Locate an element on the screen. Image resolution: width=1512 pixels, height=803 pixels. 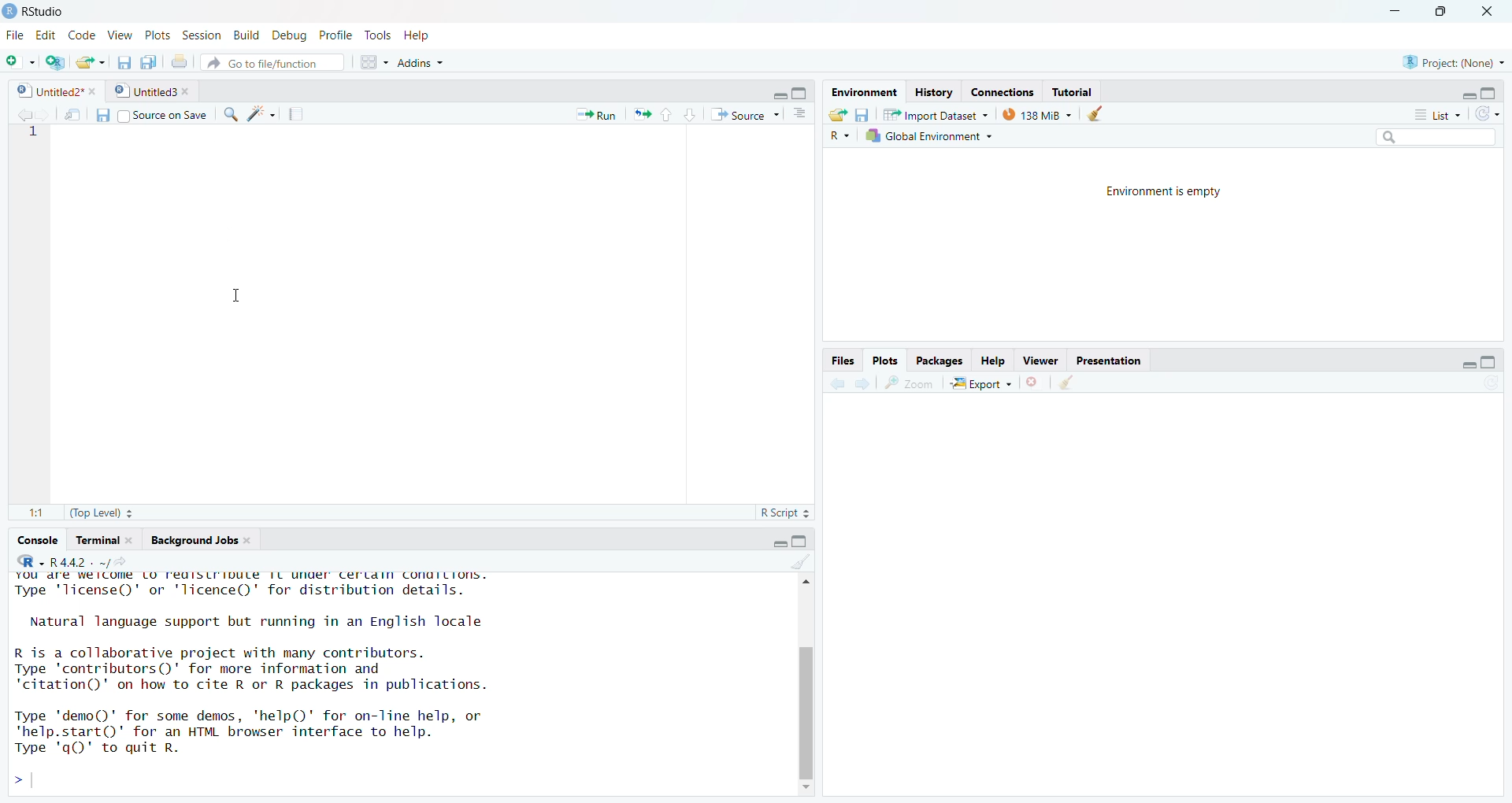
text cursor is located at coordinates (243, 299).